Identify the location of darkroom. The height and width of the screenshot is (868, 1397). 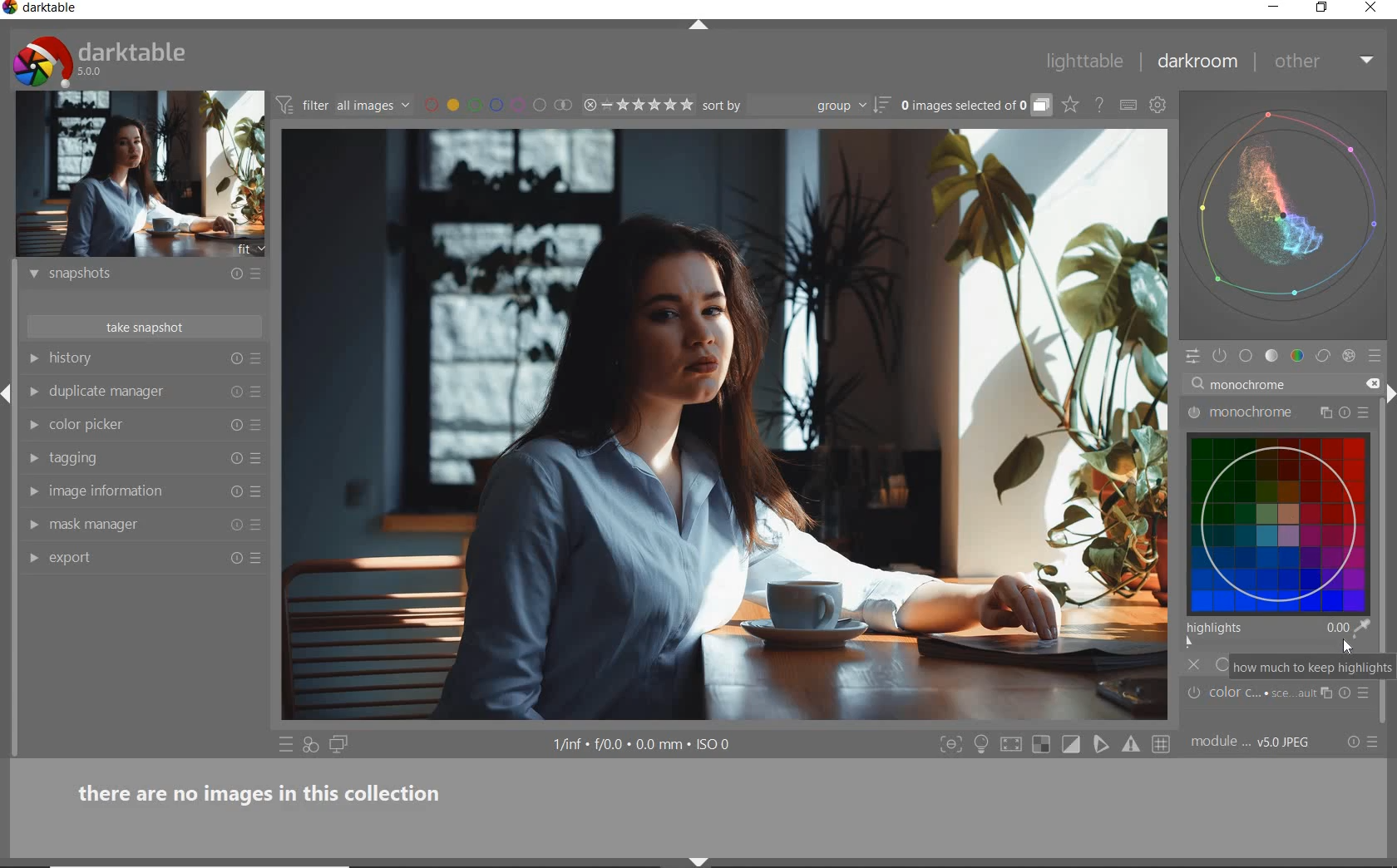
(1198, 65).